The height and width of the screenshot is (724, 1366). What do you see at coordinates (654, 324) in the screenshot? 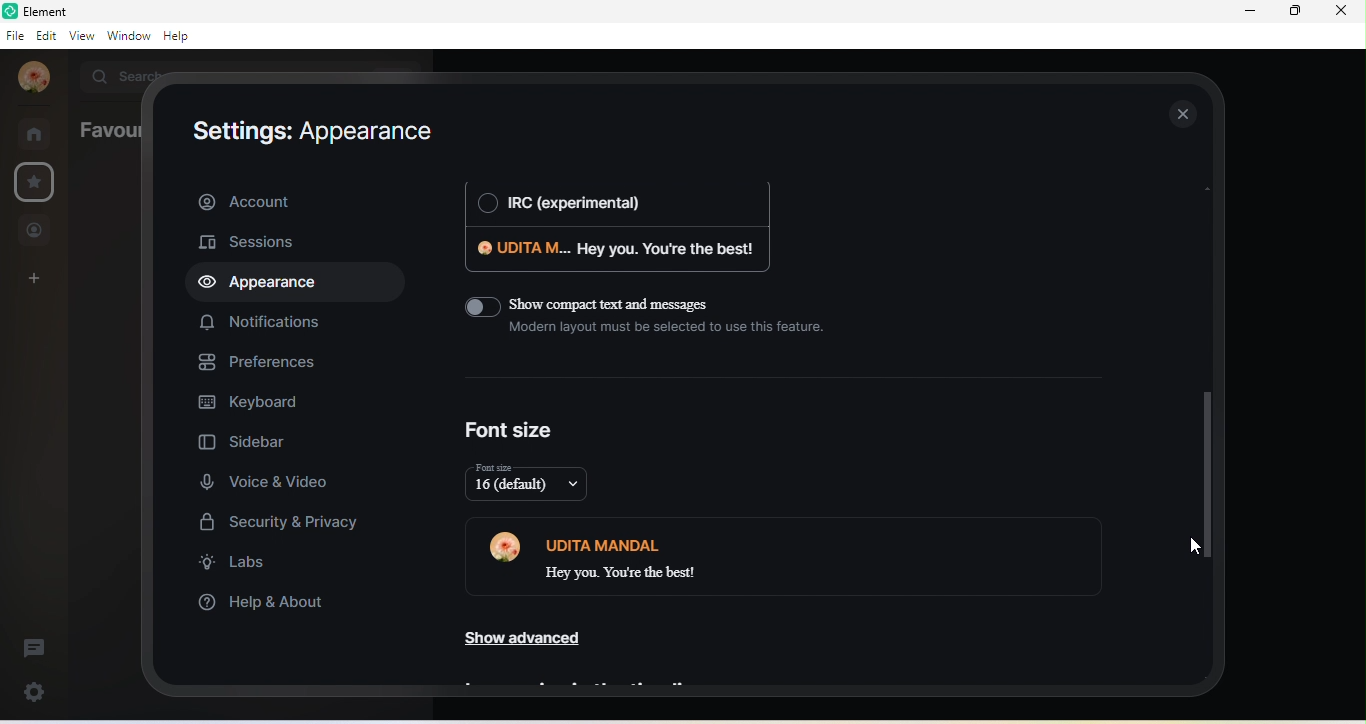
I see `show compact text and messages` at bounding box center [654, 324].